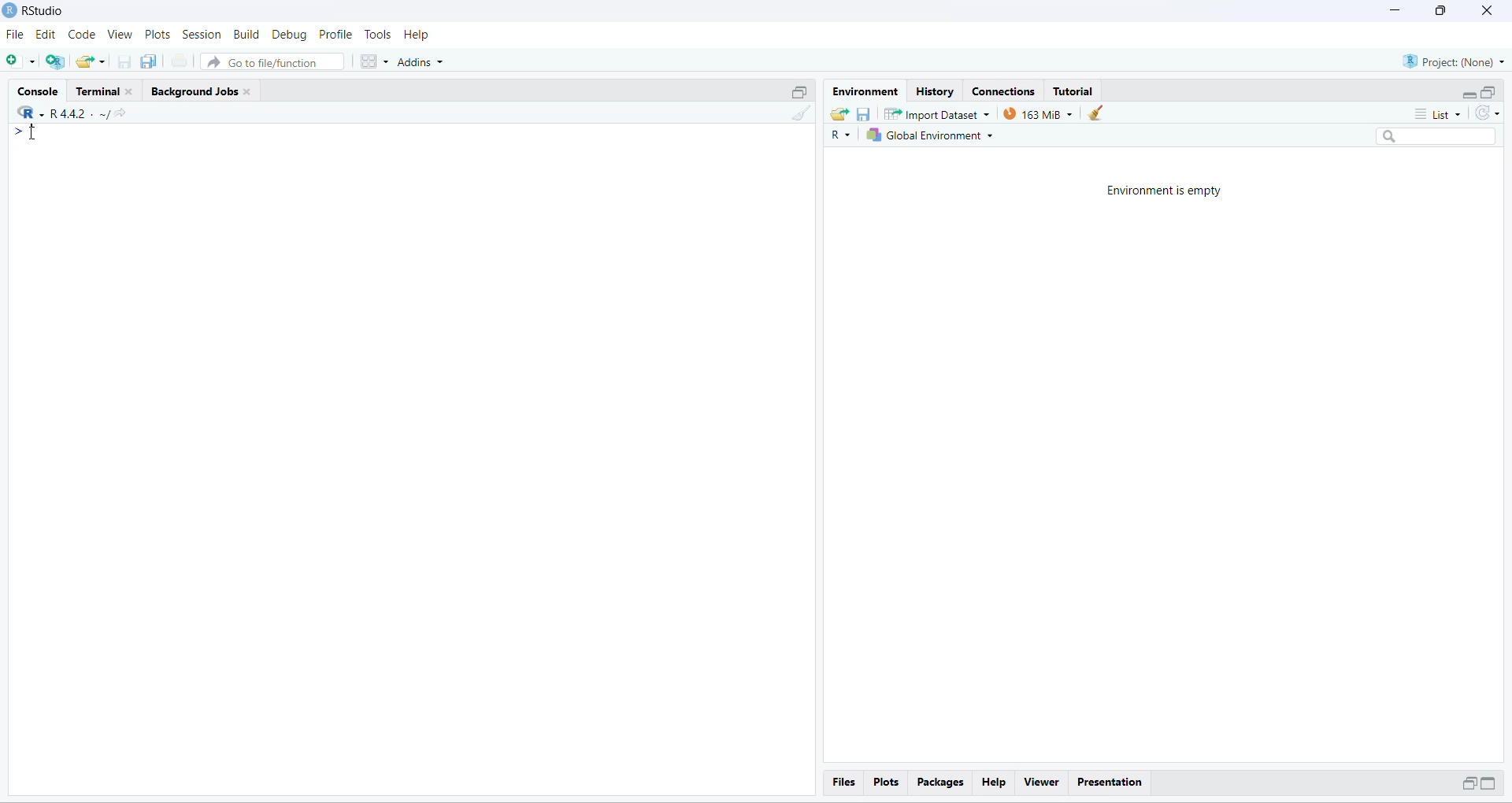 This screenshot has height=803, width=1512. Describe the element at coordinates (844, 782) in the screenshot. I see `Files` at that location.